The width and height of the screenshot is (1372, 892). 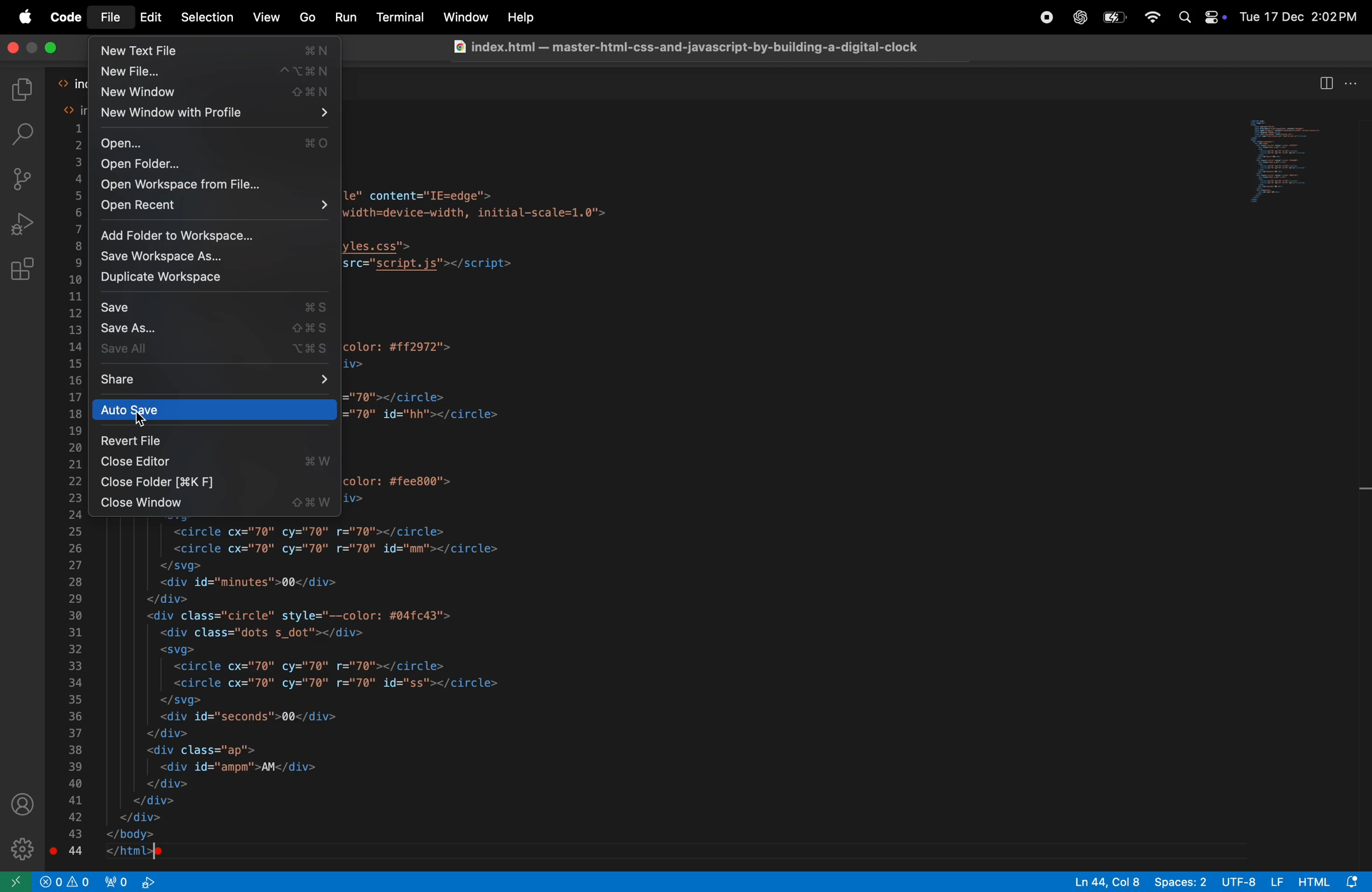 I want to click on profile, so click(x=24, y=806).